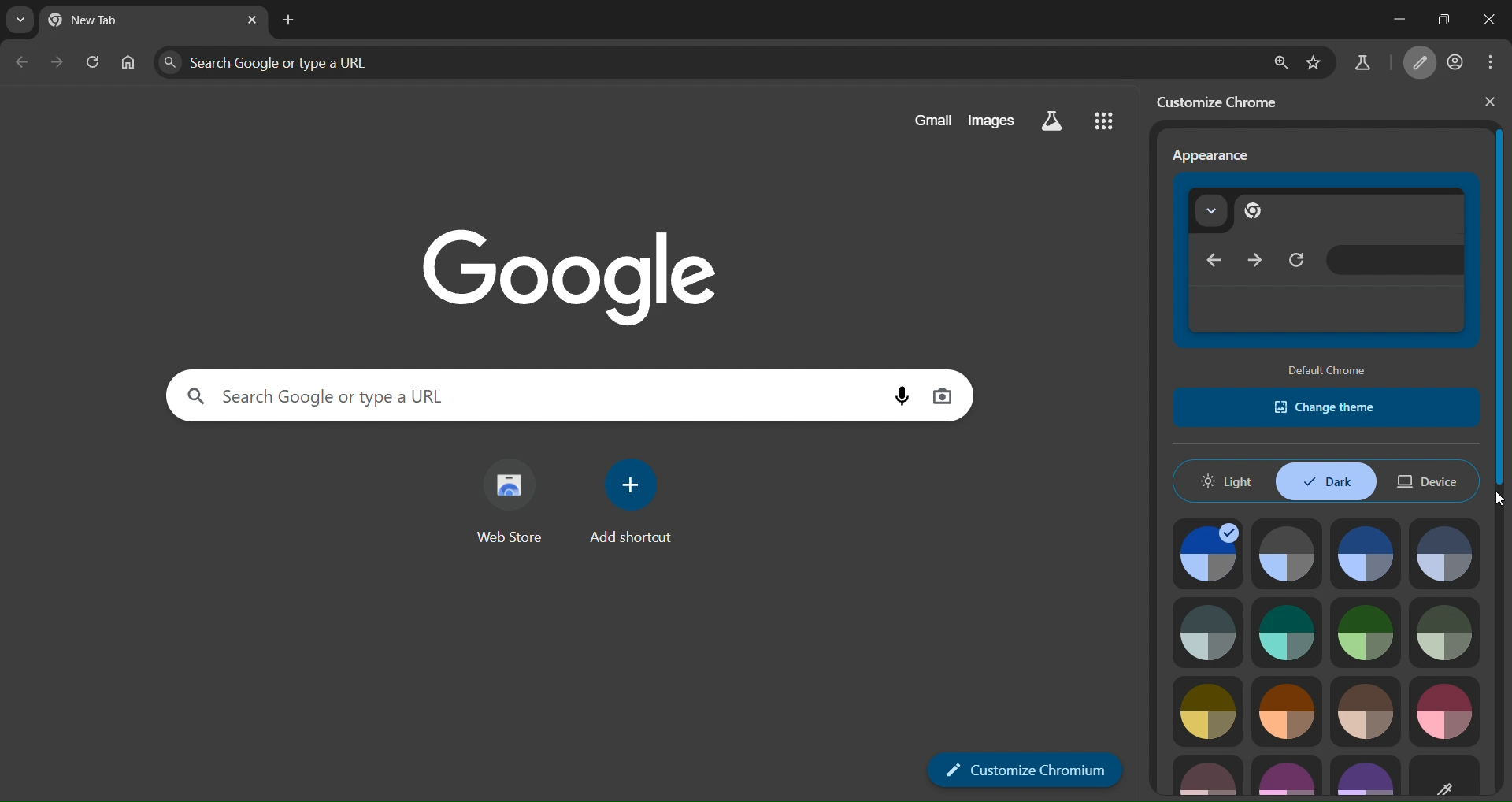 Image resolution: width=1512 pixels, height=802 pixels. I want to click on theme, so click(1442, 635).